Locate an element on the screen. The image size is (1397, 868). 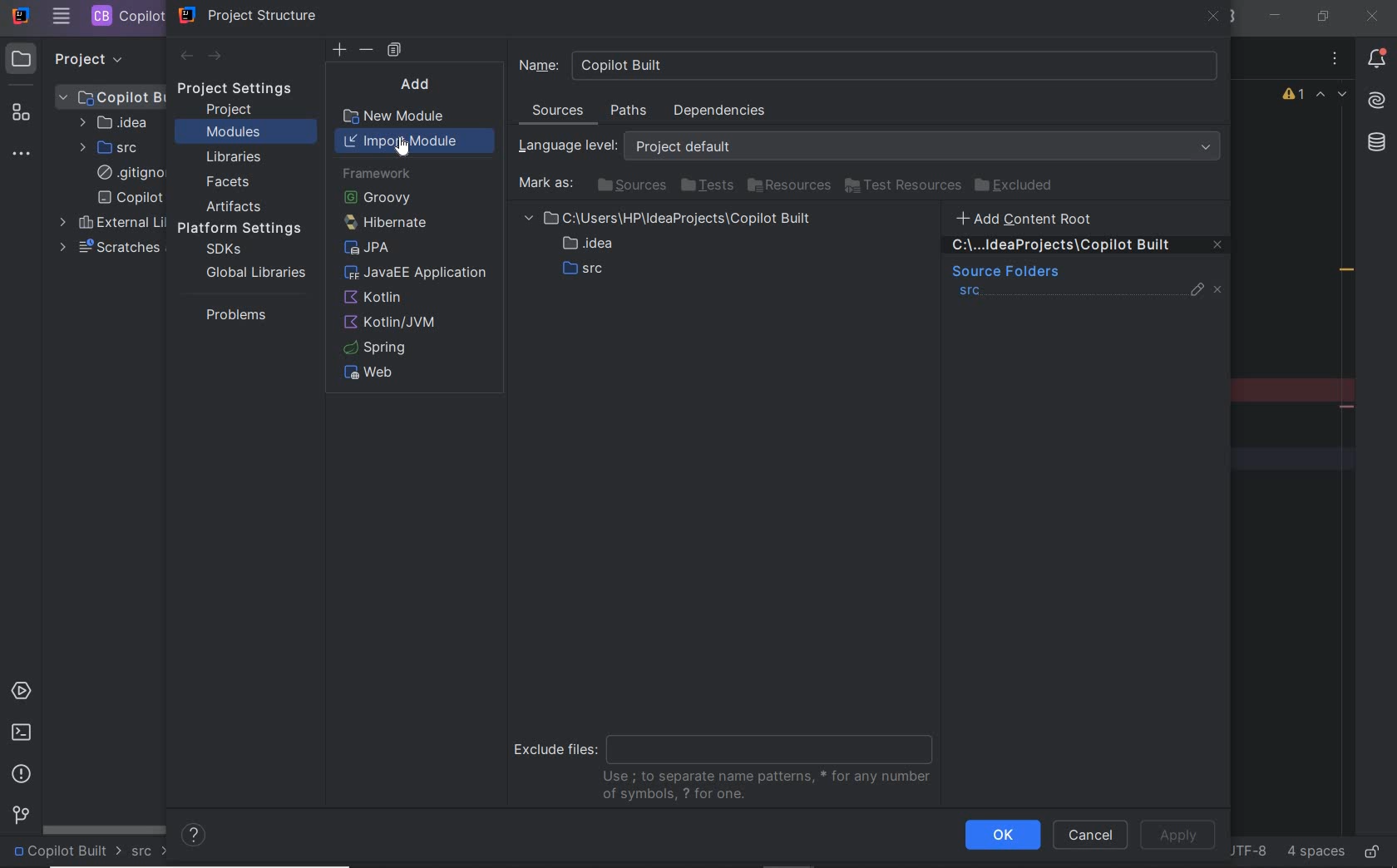
unmark source is located at coordinates (1221, 290).